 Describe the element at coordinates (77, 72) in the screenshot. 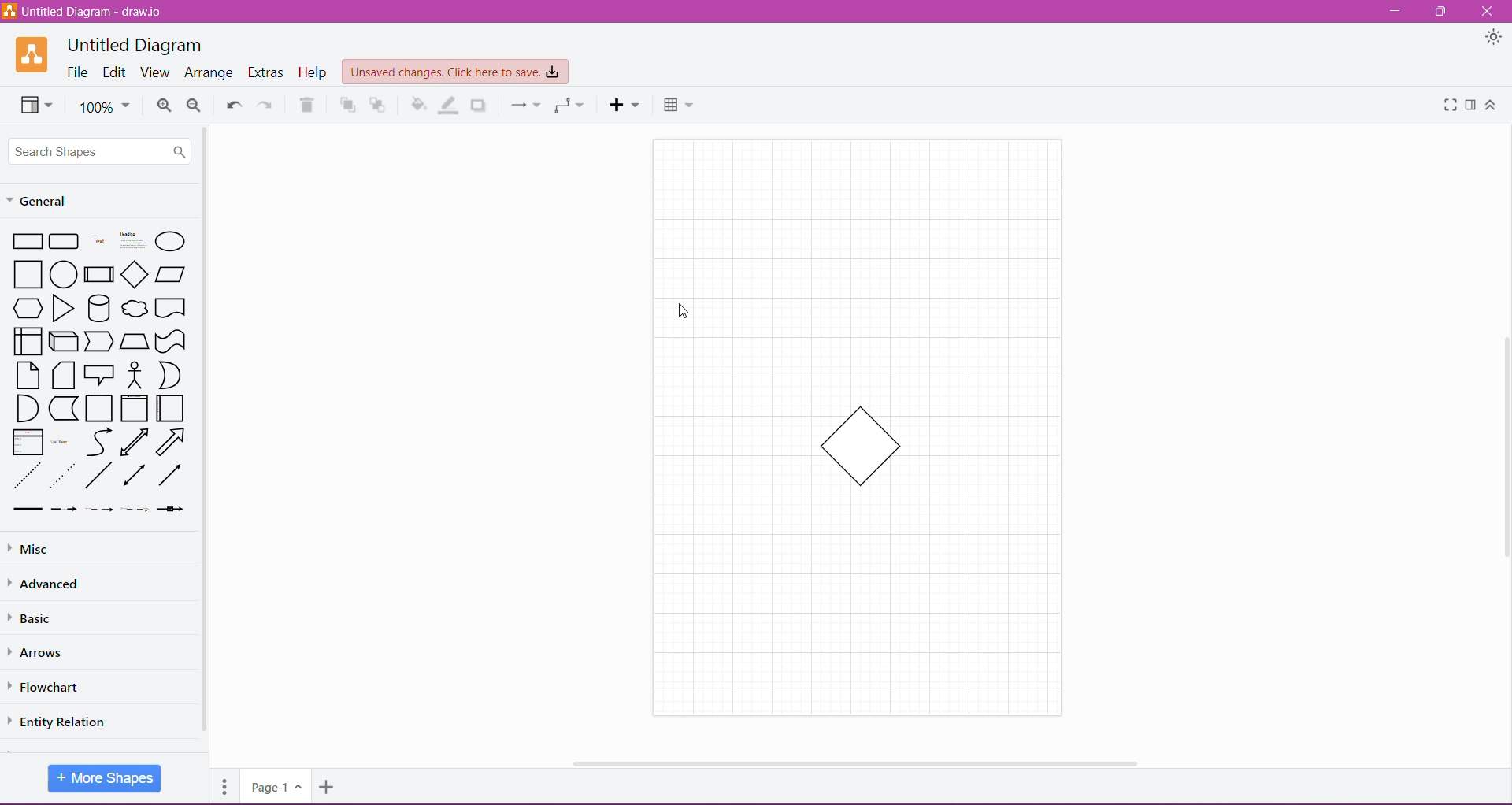

I see `File ` at that location.